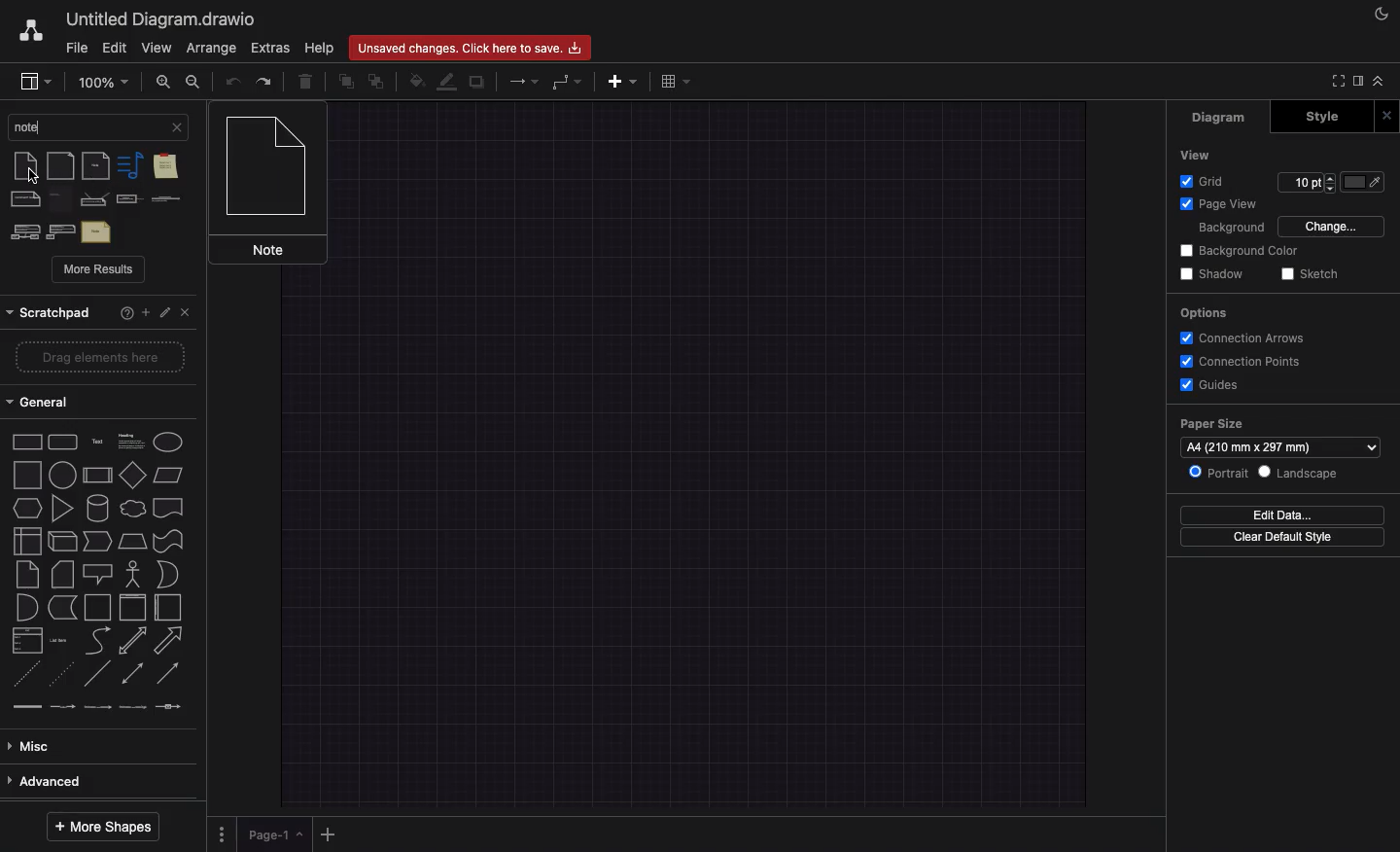 The height and width of the screenshot is (852, 1400). What do you see at coordinates (96, 573) in the screenshot?
I see `callout` at bounding box center [96, 573].